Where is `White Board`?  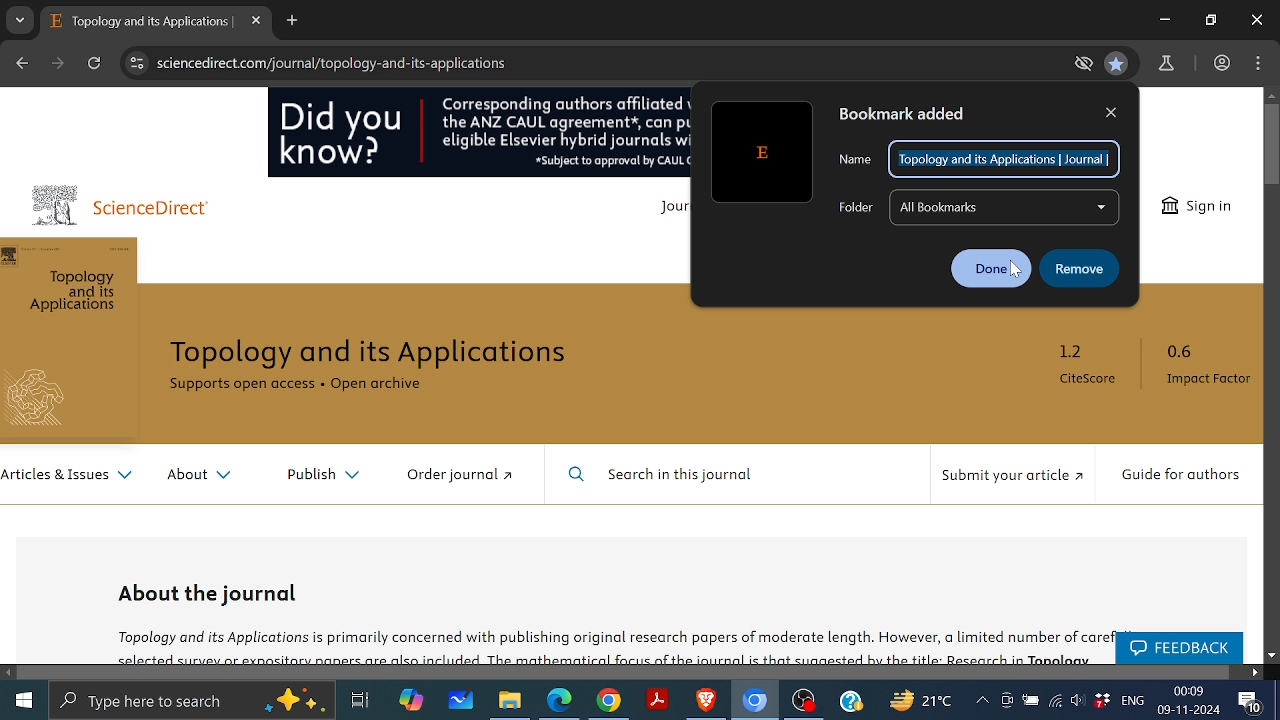 White Board is located at coordinates (460, 699).